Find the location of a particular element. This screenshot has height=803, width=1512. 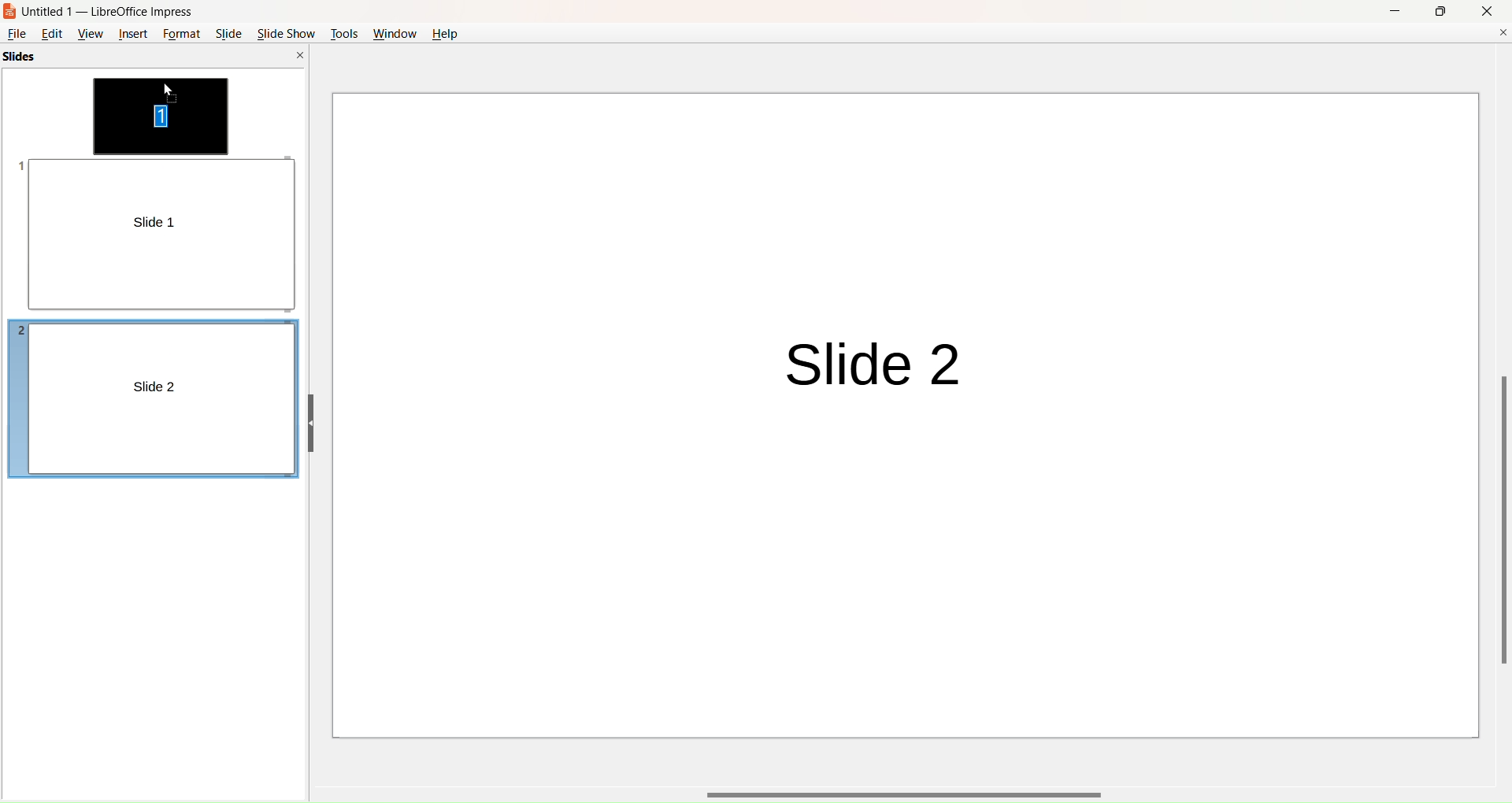

window is located at coordinates (392, 33).